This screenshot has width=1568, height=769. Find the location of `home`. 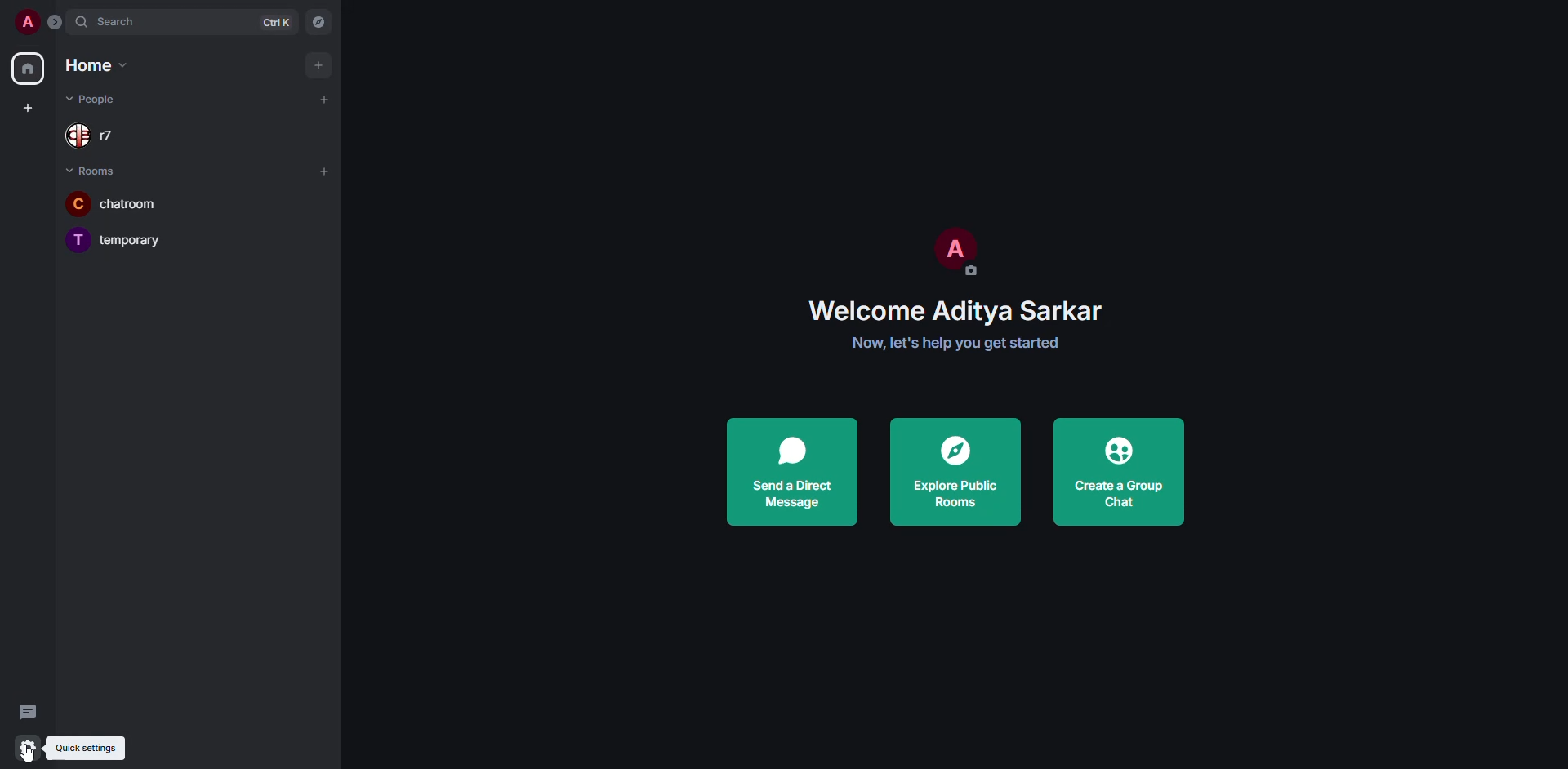

home is located at coordinates (100, 64).